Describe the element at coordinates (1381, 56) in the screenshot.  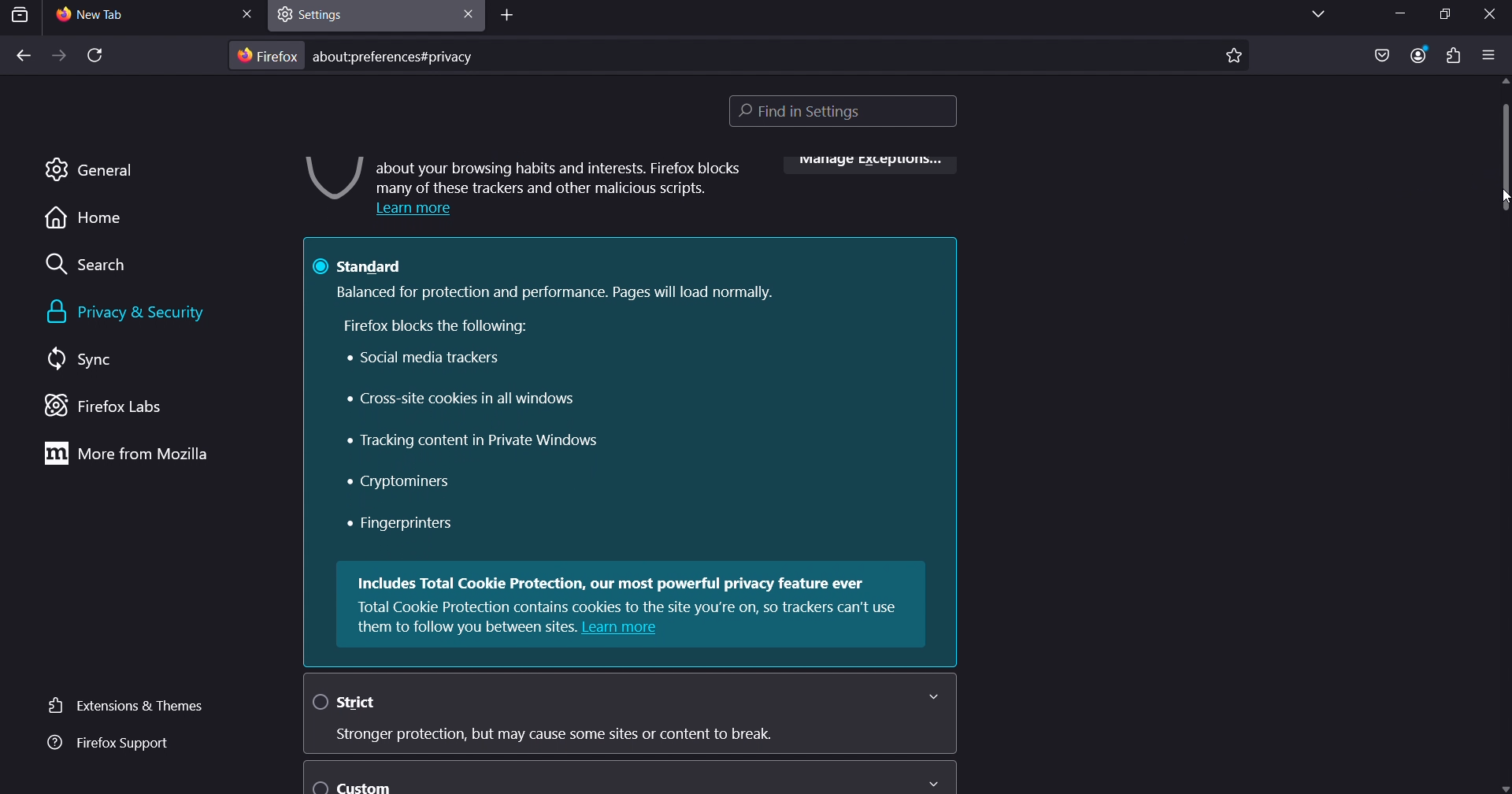
I see `save as pocket` at that location.